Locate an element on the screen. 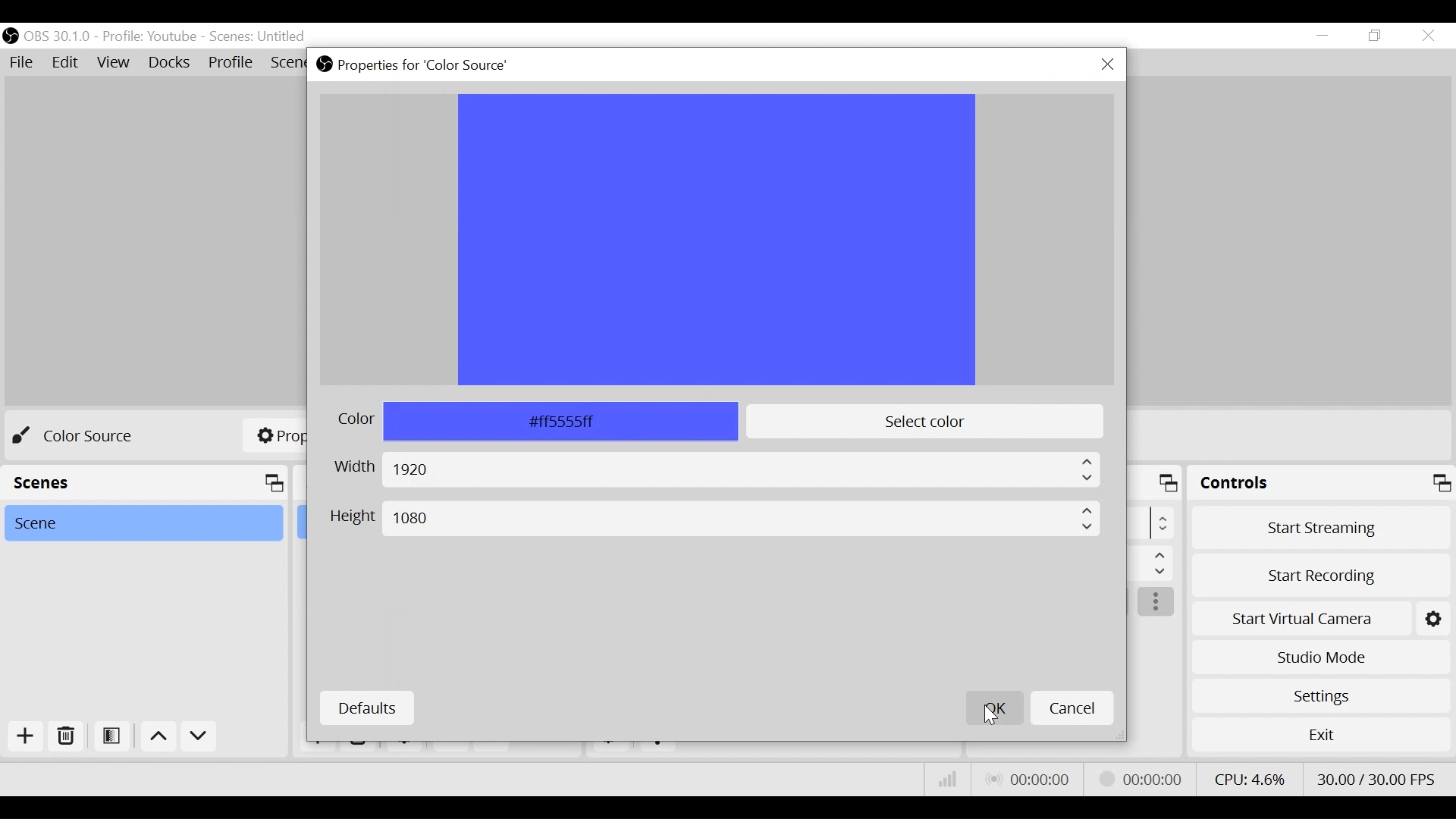 The height and width of the screenshot is (819, 1456). OBS Desktop Icon is located at coordinates (9, 36).